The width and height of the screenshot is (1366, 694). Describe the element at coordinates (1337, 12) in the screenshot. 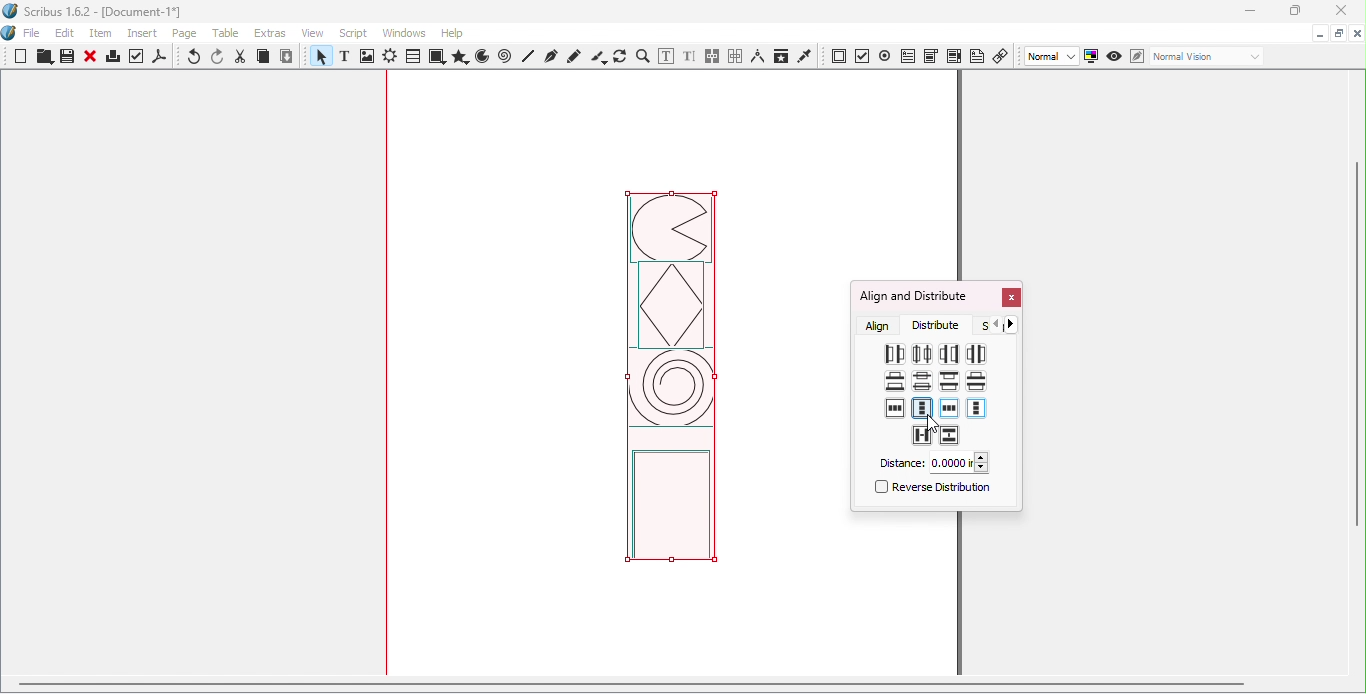

I see `Close` at that location.